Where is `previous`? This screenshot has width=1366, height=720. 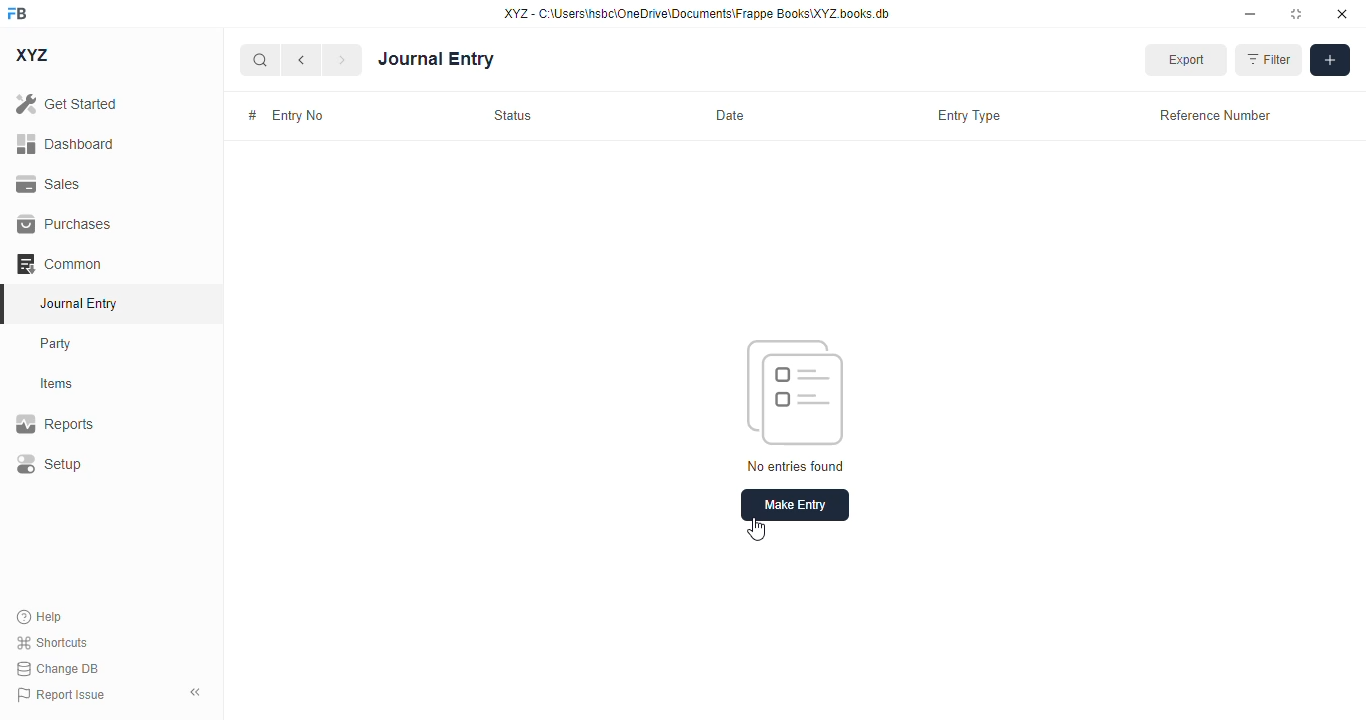
previous is located at coordinates (301, 60).